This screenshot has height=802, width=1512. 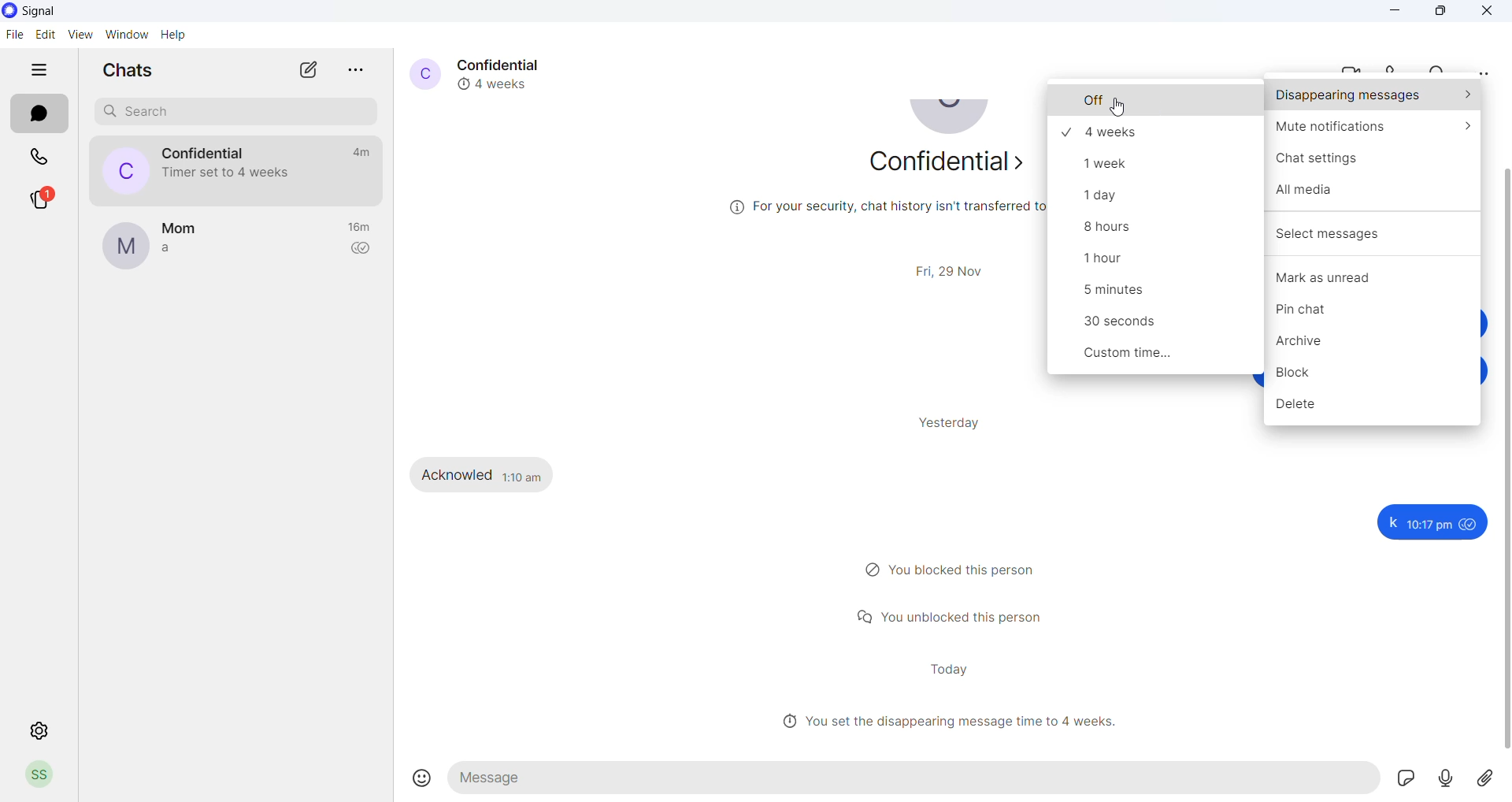 What do you see at coordinates (495, 473) in the screenshot?
I see `received messages` at bounding box center [495, 473].